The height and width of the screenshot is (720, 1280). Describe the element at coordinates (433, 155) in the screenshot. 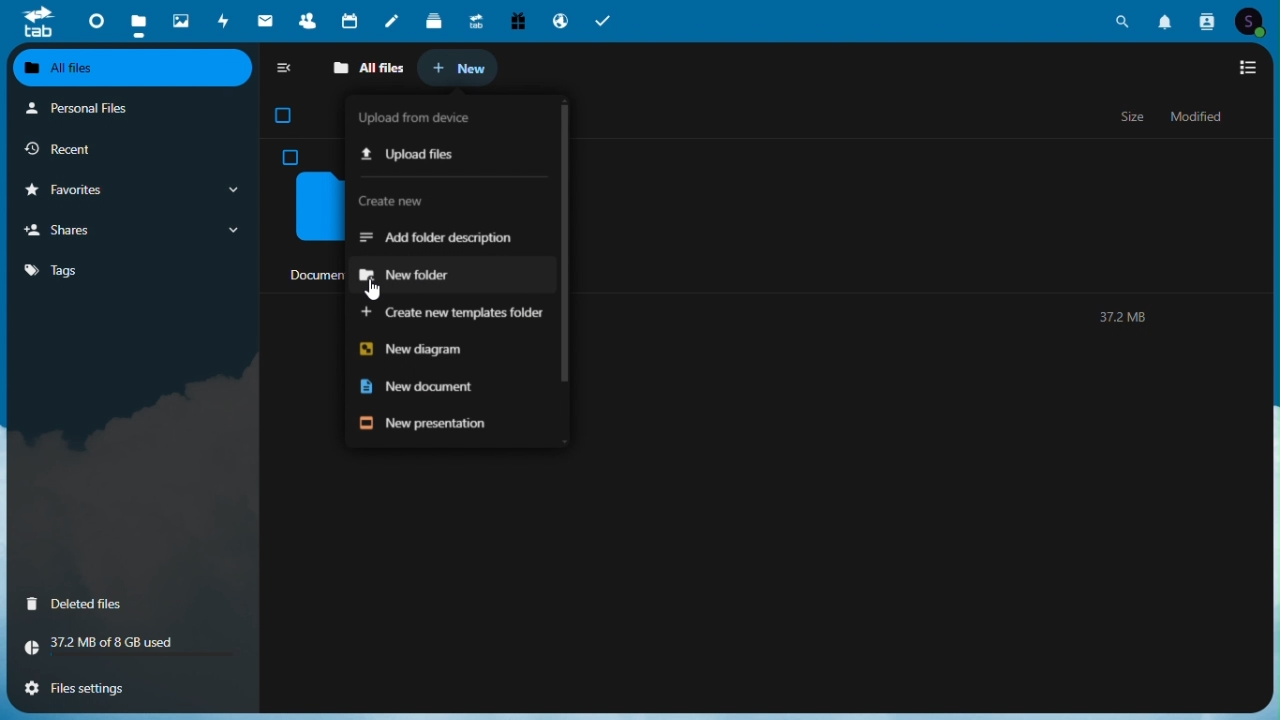

I see `Upload files` at that location.